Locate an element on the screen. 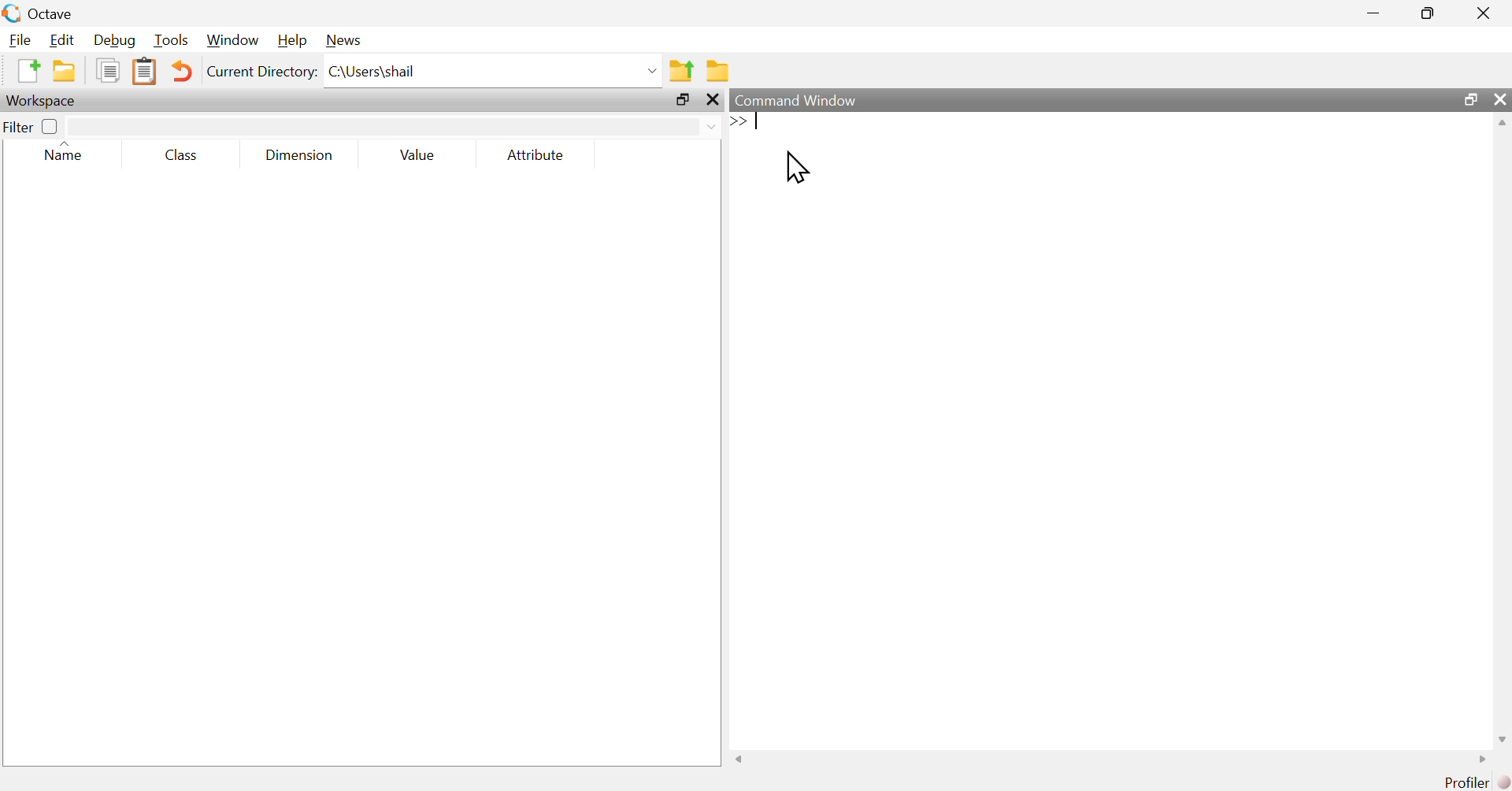 This screenshot has height=791, width=1512. one directory up is located at coordinates (680, 69).